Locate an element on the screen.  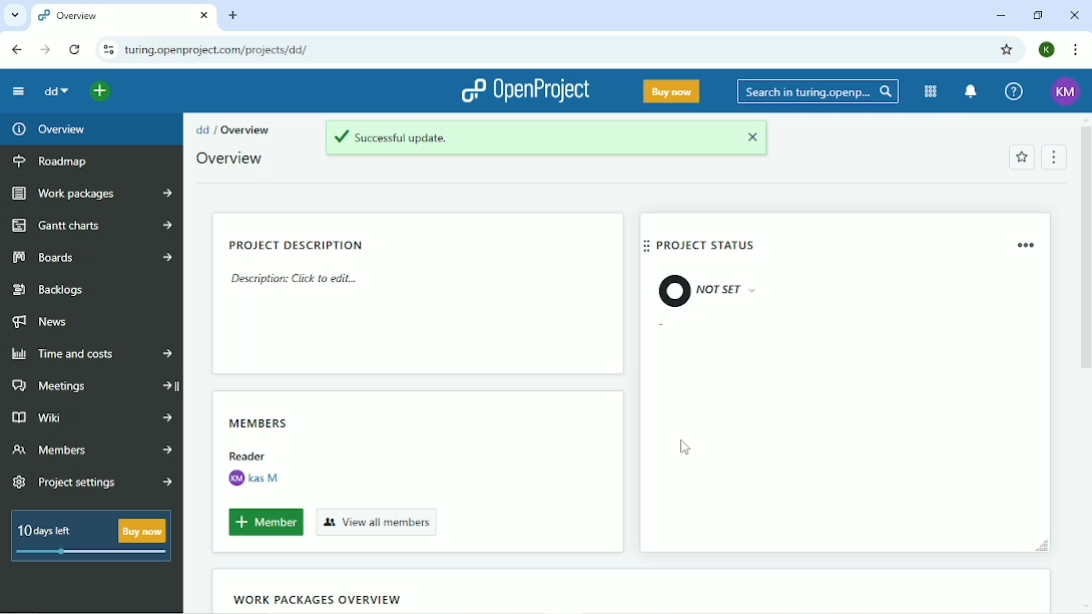
Vertical scrollbar is located at coordinates (1085, 245).